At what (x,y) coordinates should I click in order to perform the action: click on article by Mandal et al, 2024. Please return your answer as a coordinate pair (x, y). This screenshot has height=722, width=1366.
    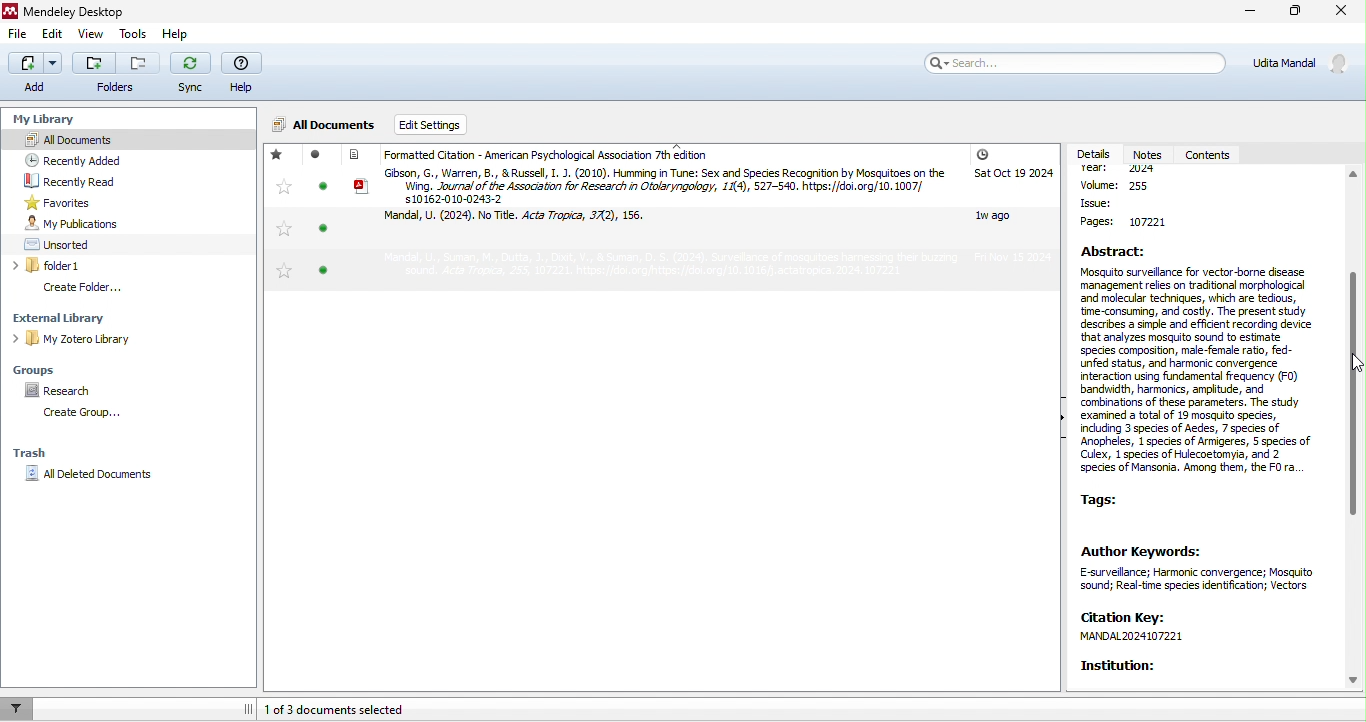
    Looking at the image, I should click on (525, 221).